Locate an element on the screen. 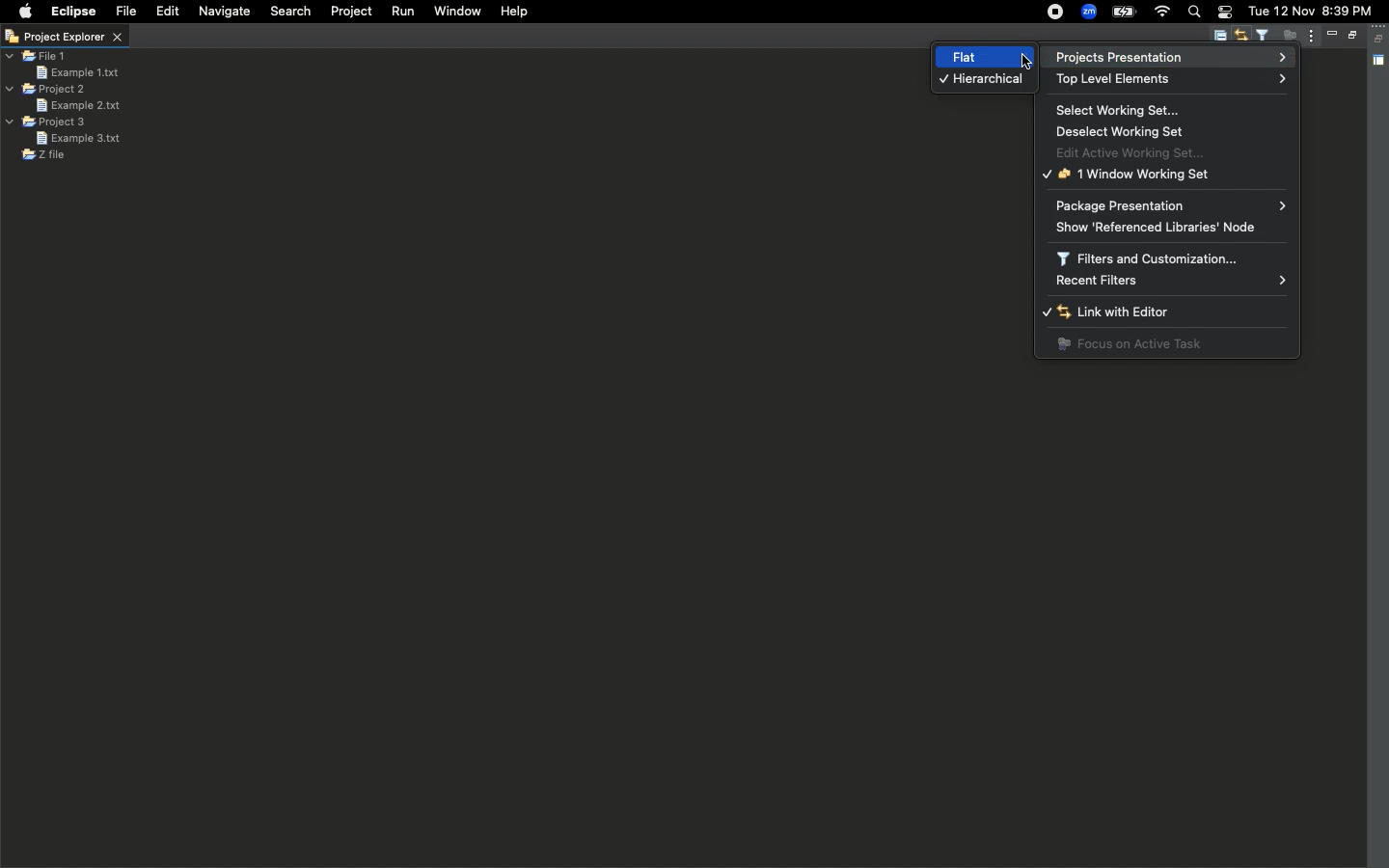  Example 1 text file is located at coordinates (77, 71).